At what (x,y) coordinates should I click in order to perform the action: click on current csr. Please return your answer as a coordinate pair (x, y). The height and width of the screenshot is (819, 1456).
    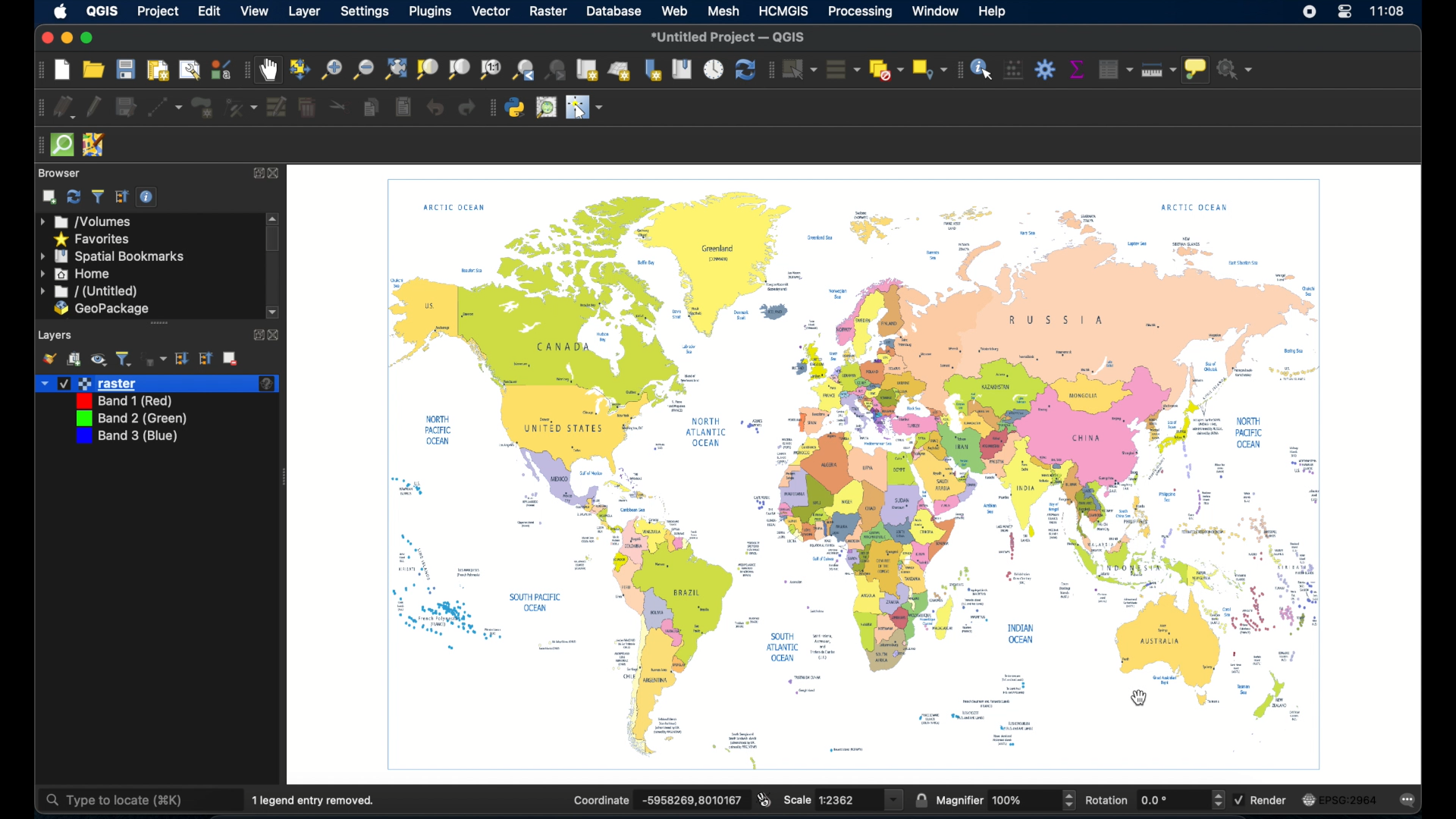
    Looking at the image, I should click on (1345, 799).